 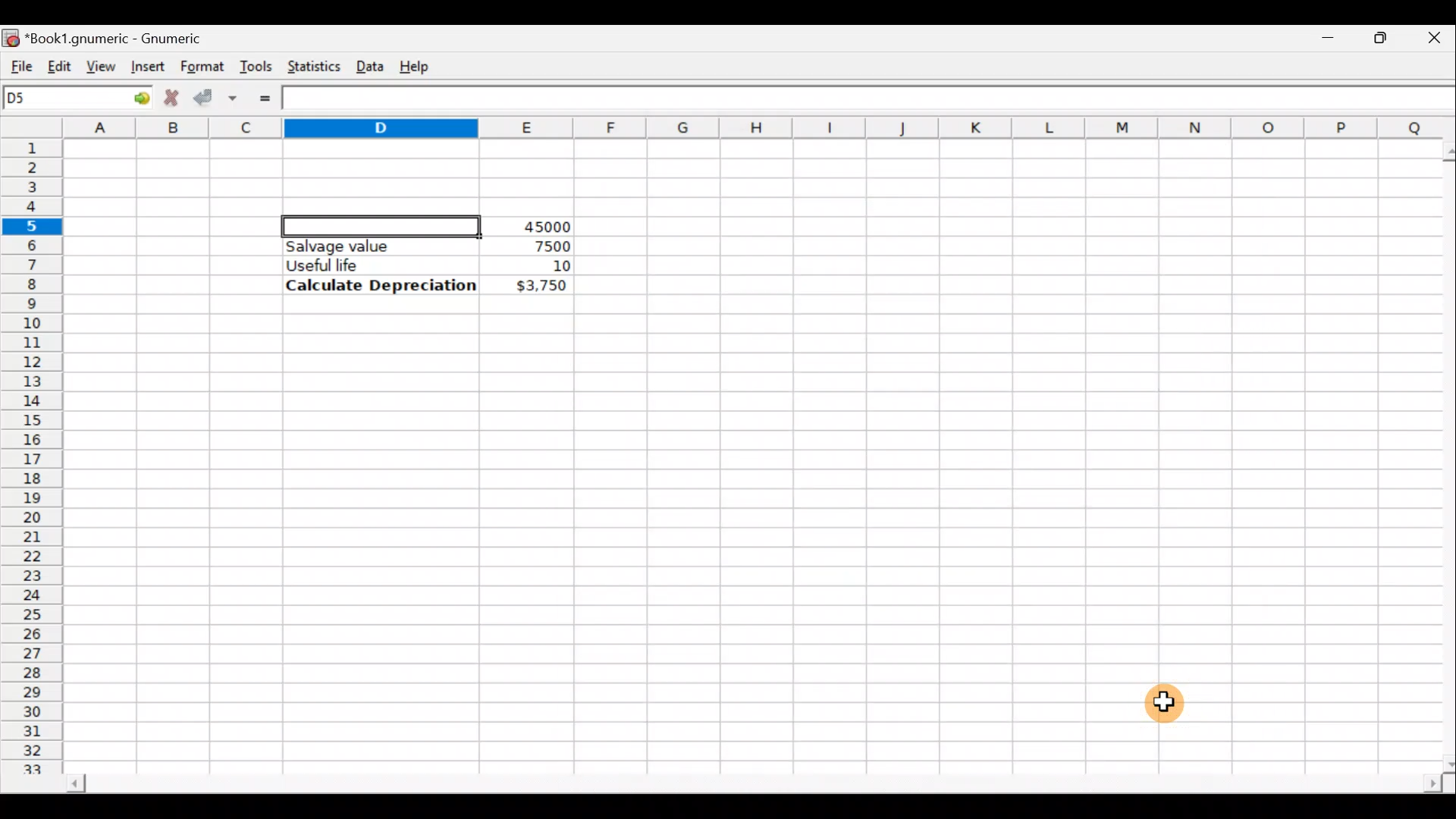 I want to click on Minimize, so click(x=1332, y=34).